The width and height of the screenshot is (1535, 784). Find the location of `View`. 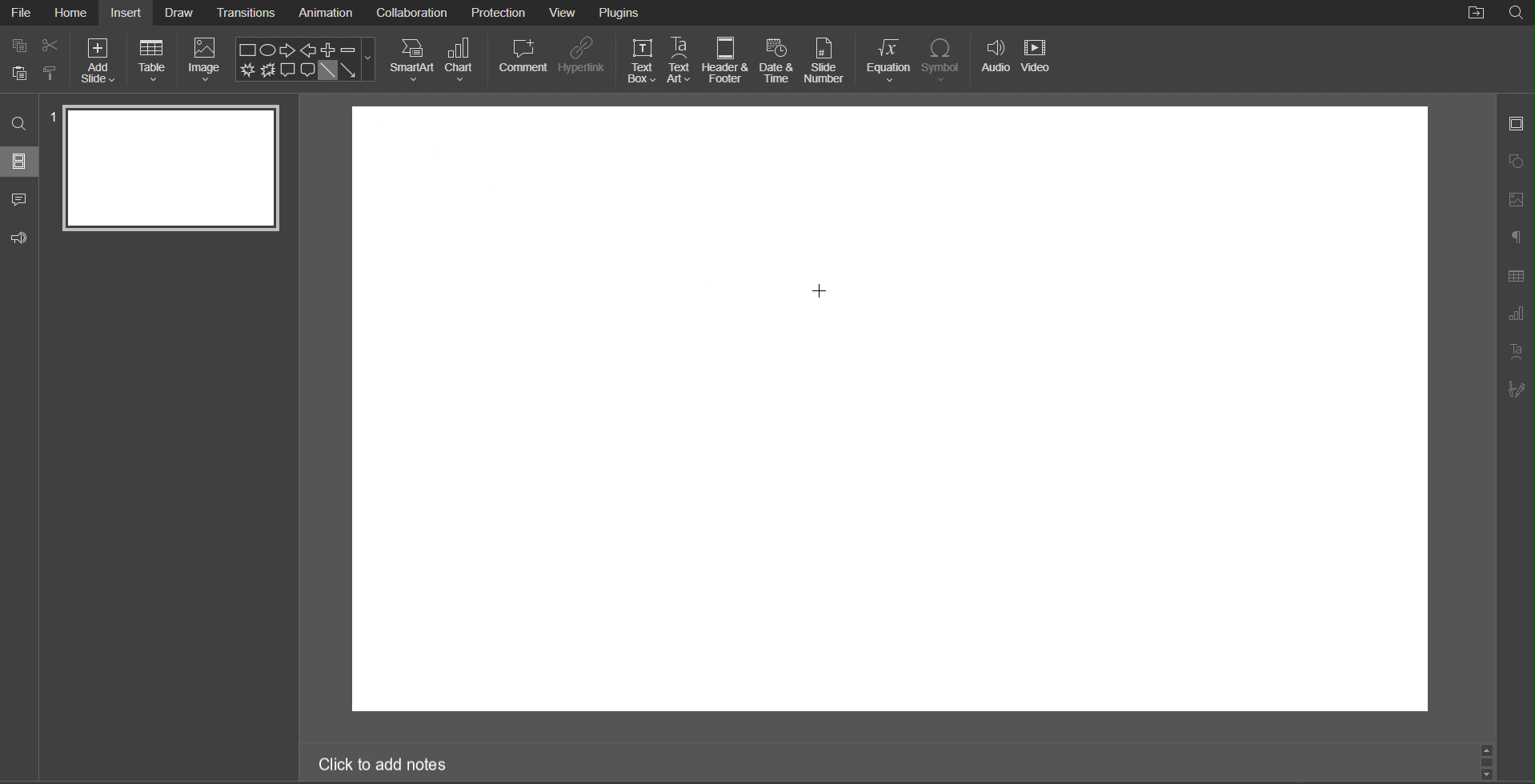

View is located at coordinates (564, 14).